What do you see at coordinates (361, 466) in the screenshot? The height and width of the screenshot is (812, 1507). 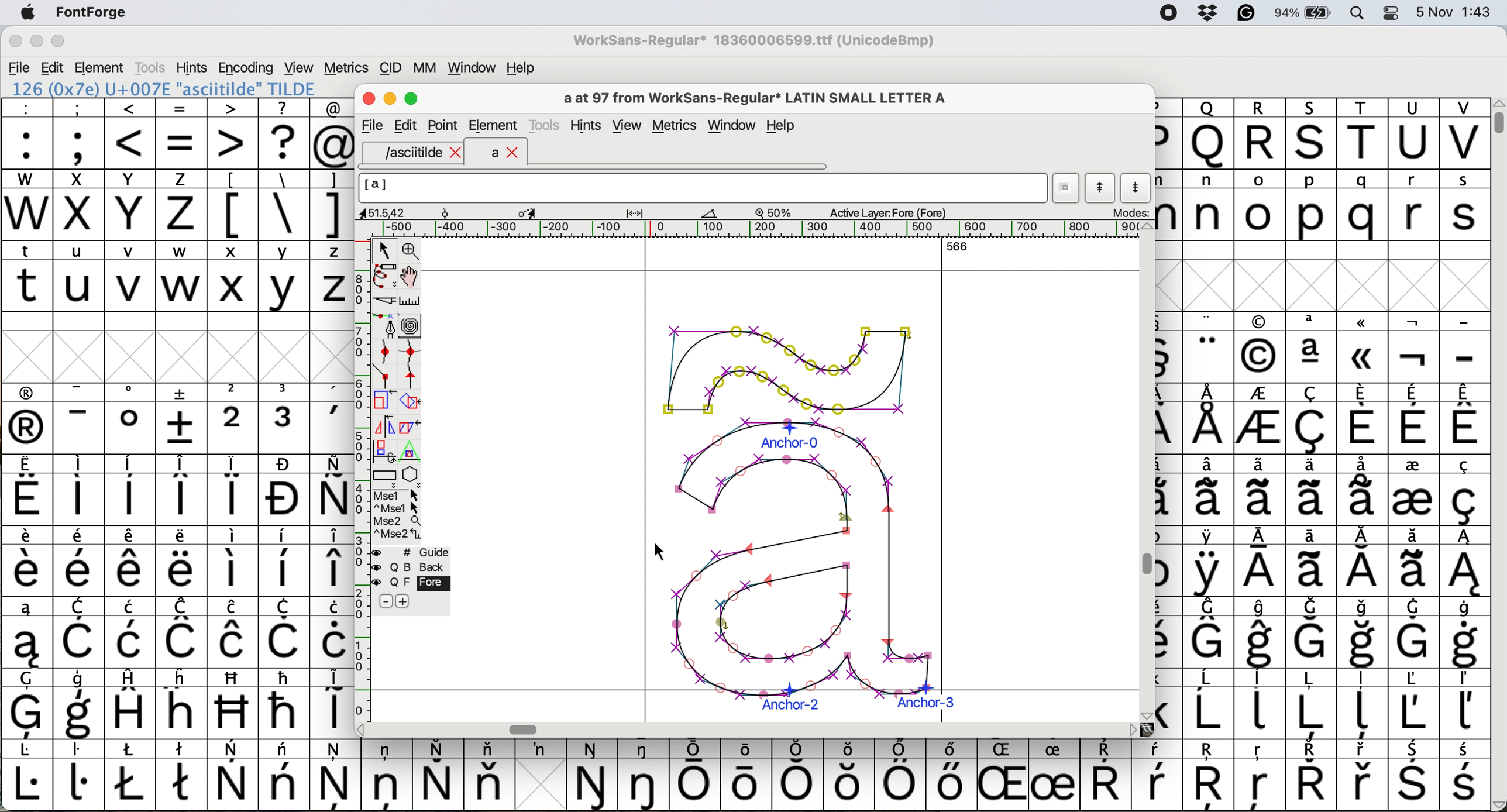 I see `vertical scale` at bounding box center [361, 466].